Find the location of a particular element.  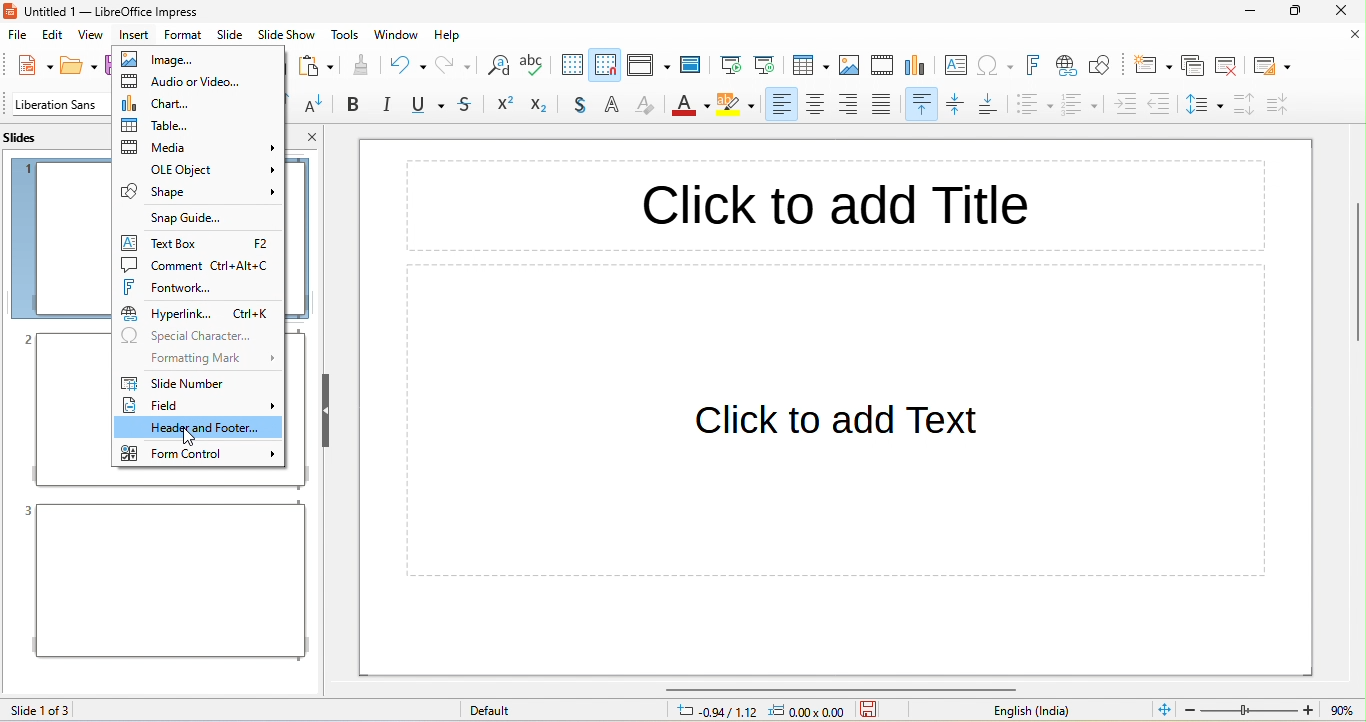

justified is located at coordinates (888, 105).